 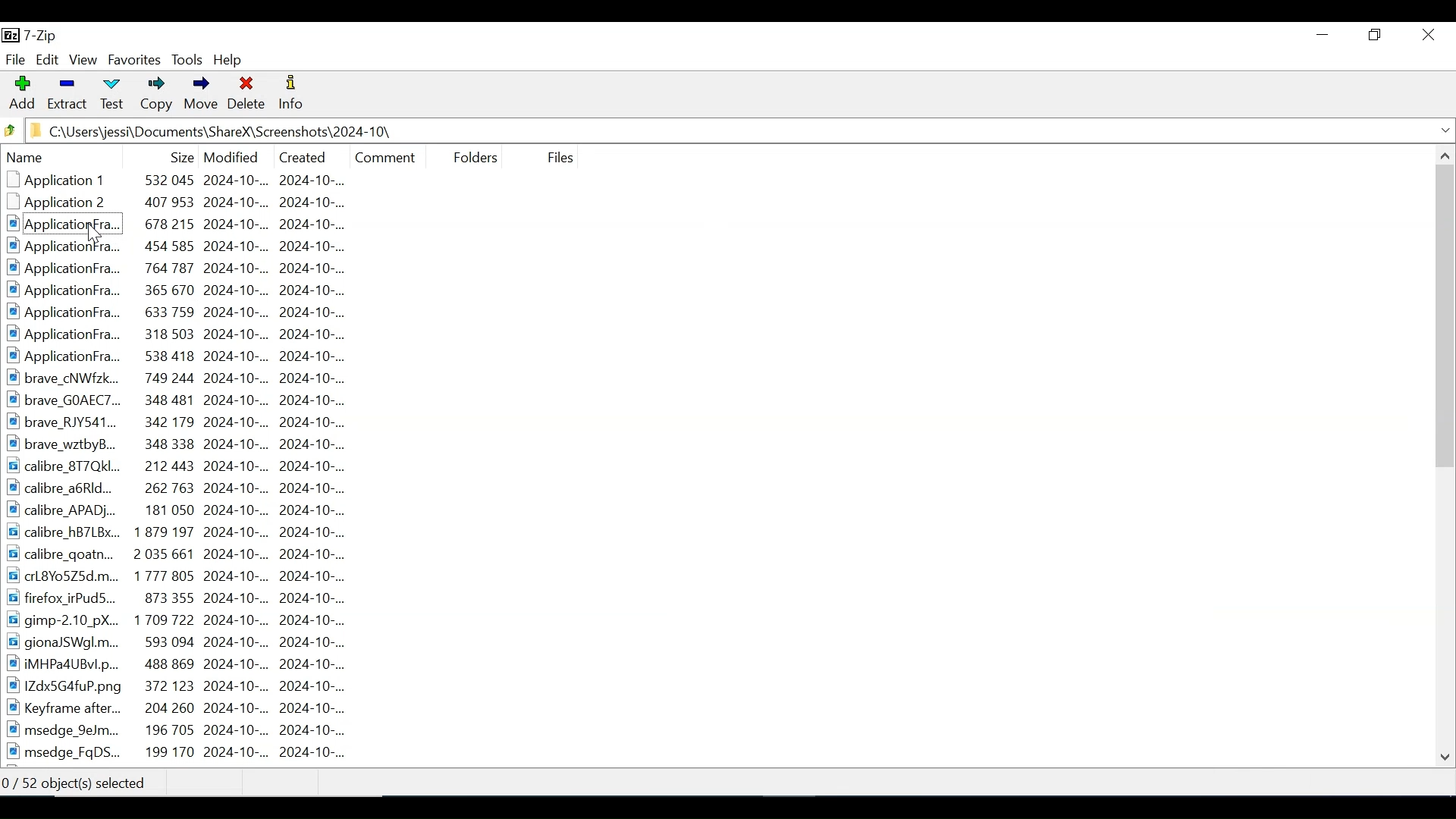 What do you see at coordinates (189, 204) in the screenshot?
I see ` Application2 ~~ 407 953 2024-10-... 2024-10-...` at bounding box center [189, 204].